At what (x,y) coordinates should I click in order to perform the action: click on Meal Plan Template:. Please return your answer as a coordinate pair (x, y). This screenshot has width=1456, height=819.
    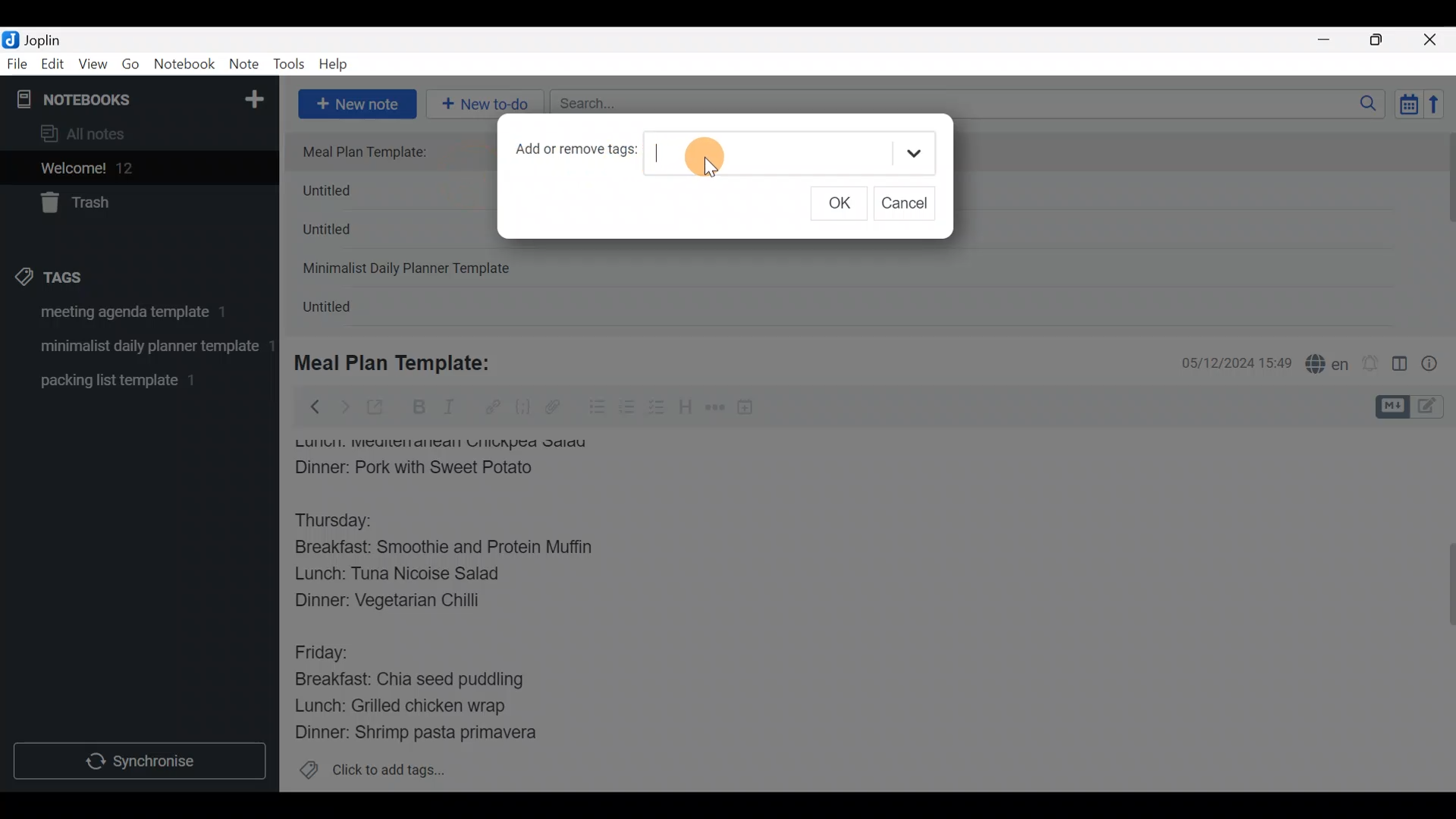
    Looking at the image, I should click on (374, 152).